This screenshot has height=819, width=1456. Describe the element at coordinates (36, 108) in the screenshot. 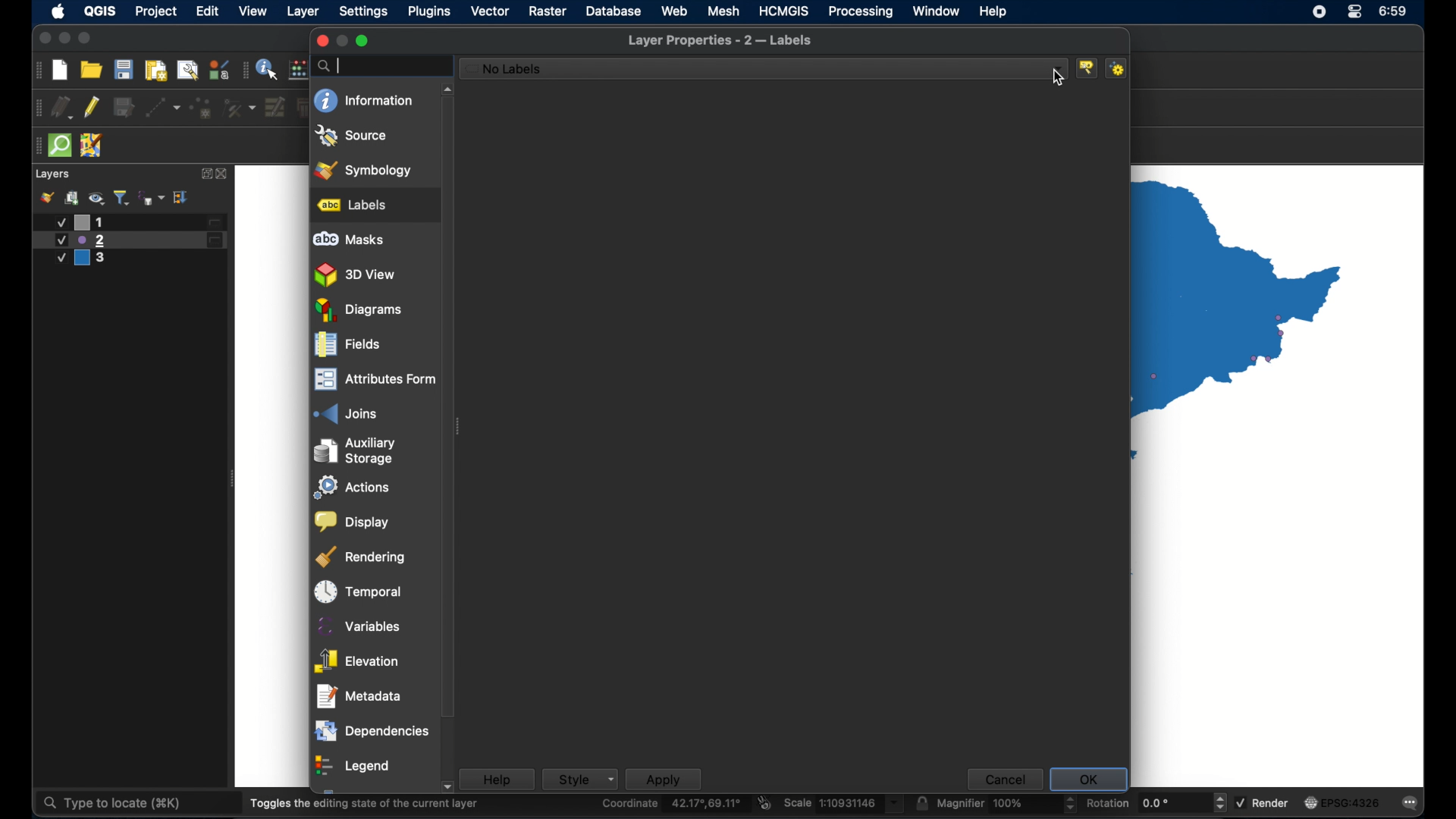

I see `drag handle` at that location.